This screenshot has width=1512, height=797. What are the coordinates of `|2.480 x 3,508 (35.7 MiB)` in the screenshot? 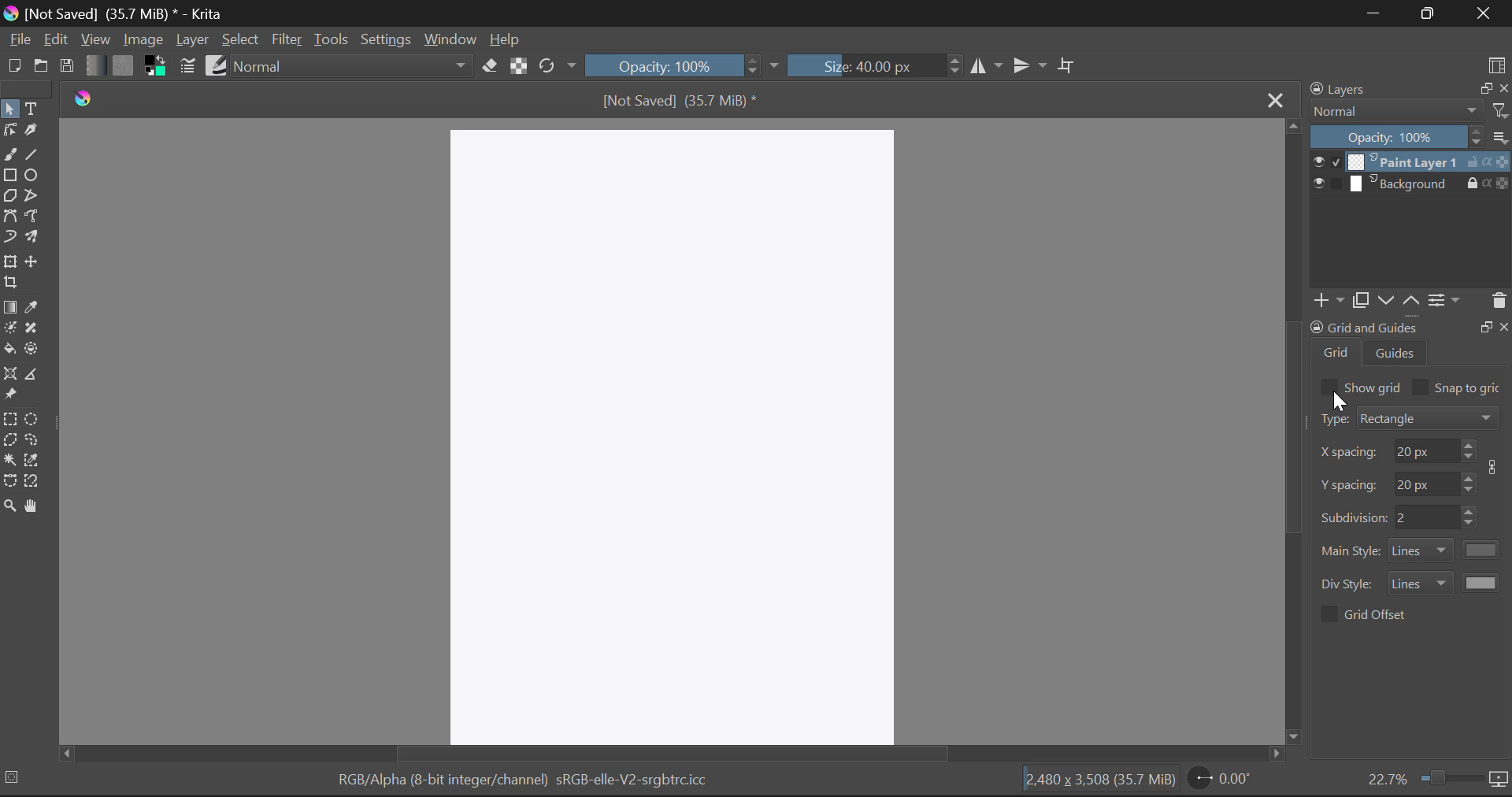 It's located at (1099, 781).